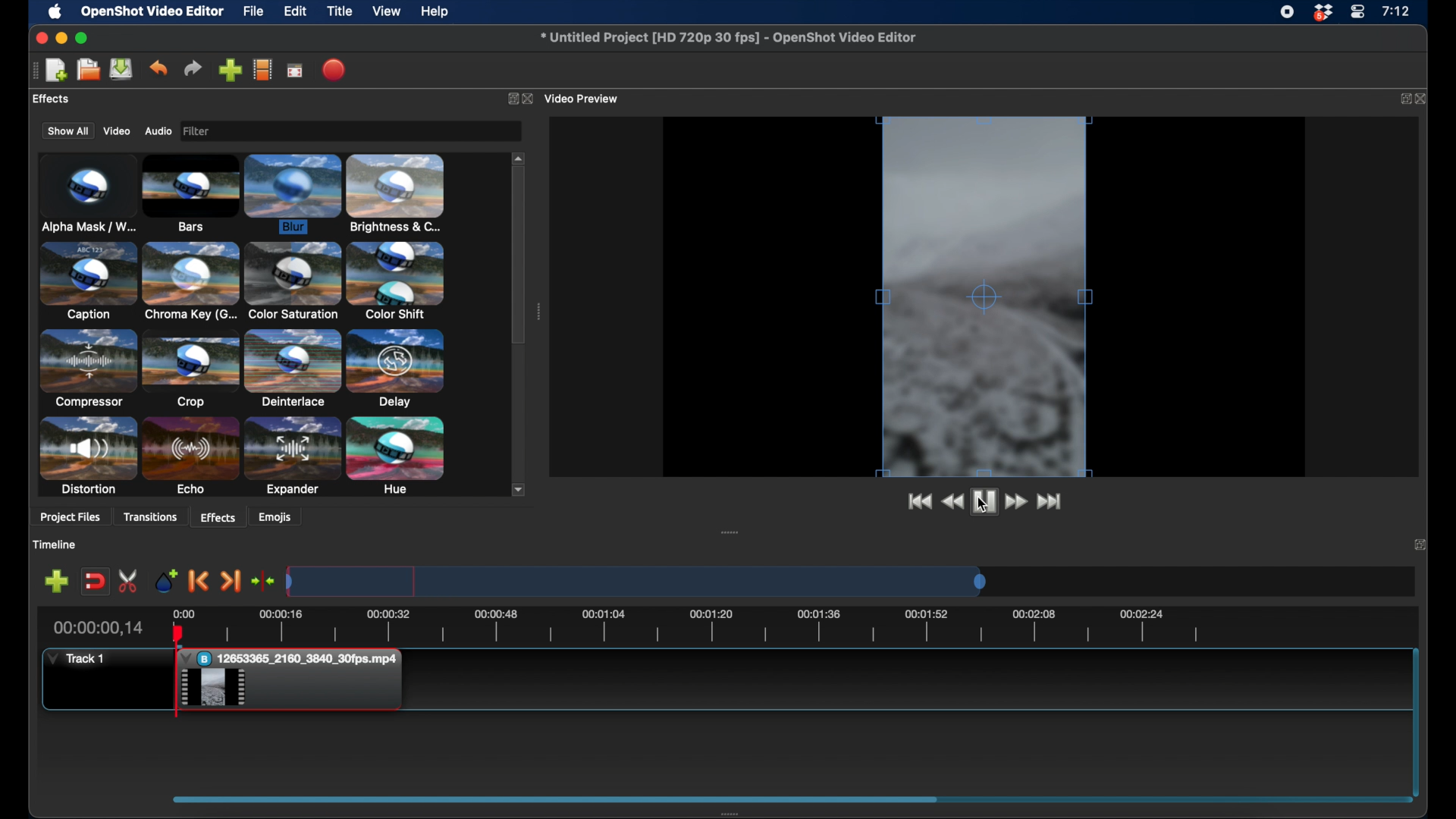  I want to click on drag handle, so click(733, 813).